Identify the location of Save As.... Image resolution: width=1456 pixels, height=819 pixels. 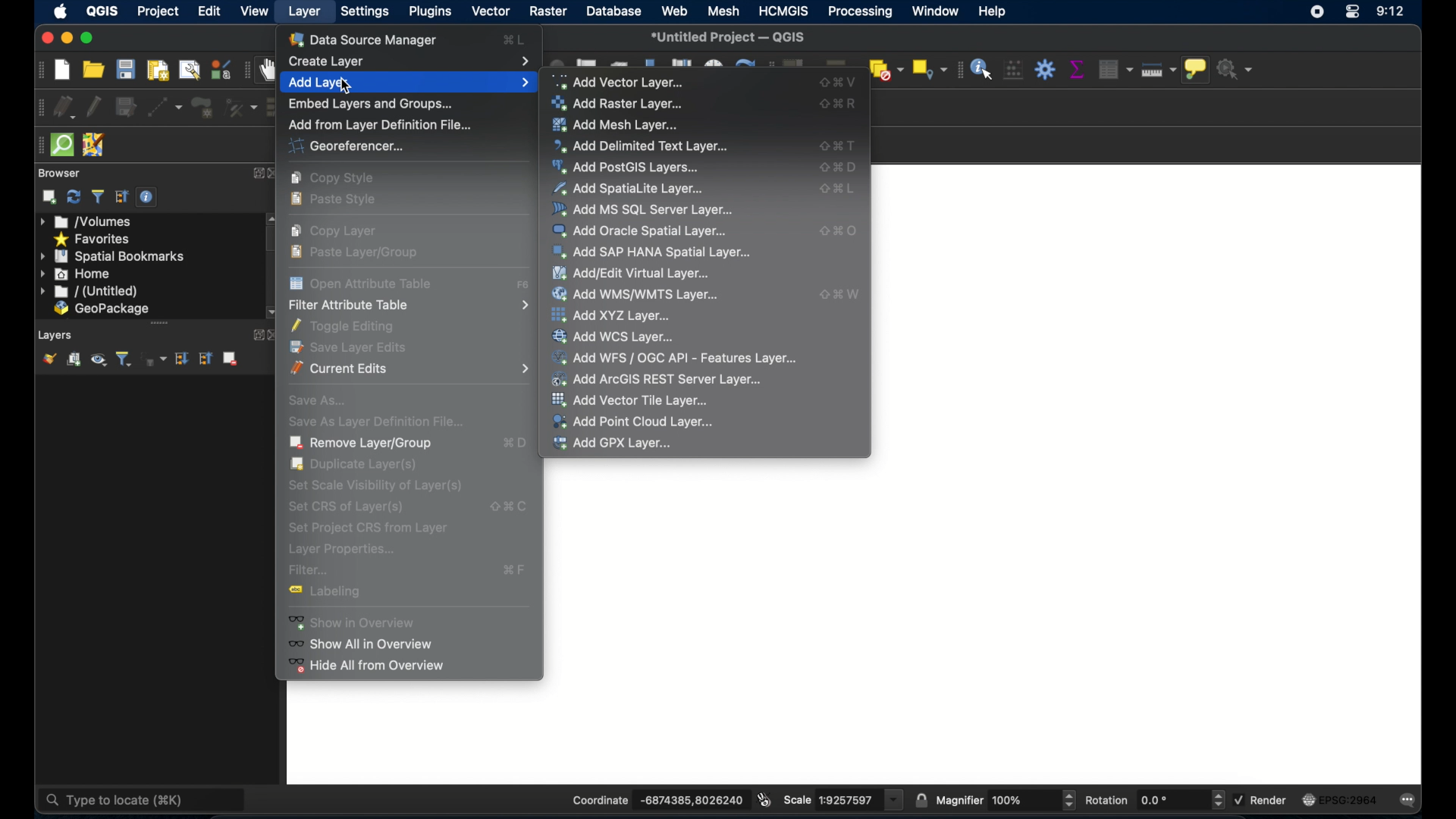
(322, 400).